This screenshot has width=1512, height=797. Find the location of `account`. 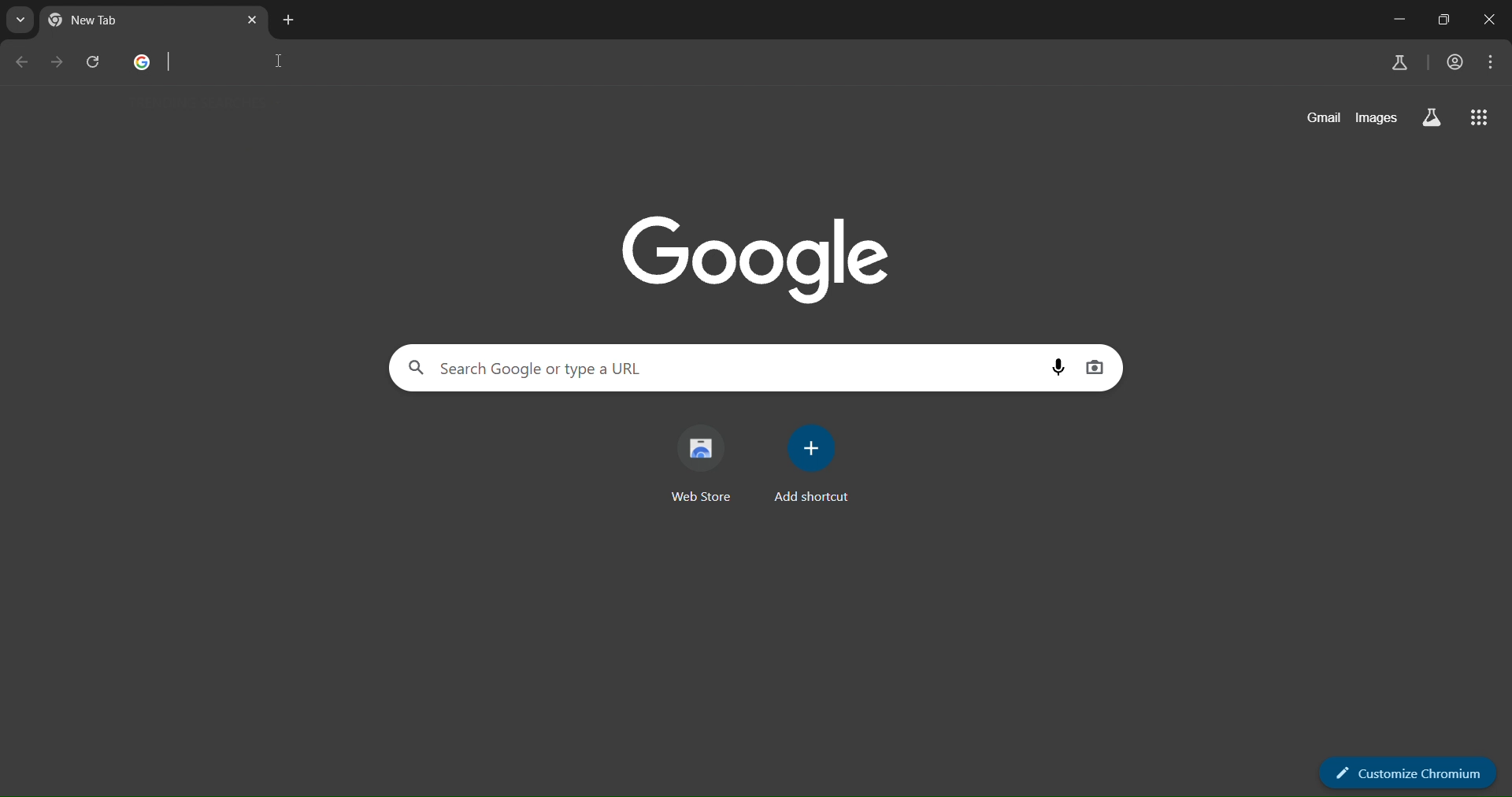

account is located at coordinates (1453, 62).